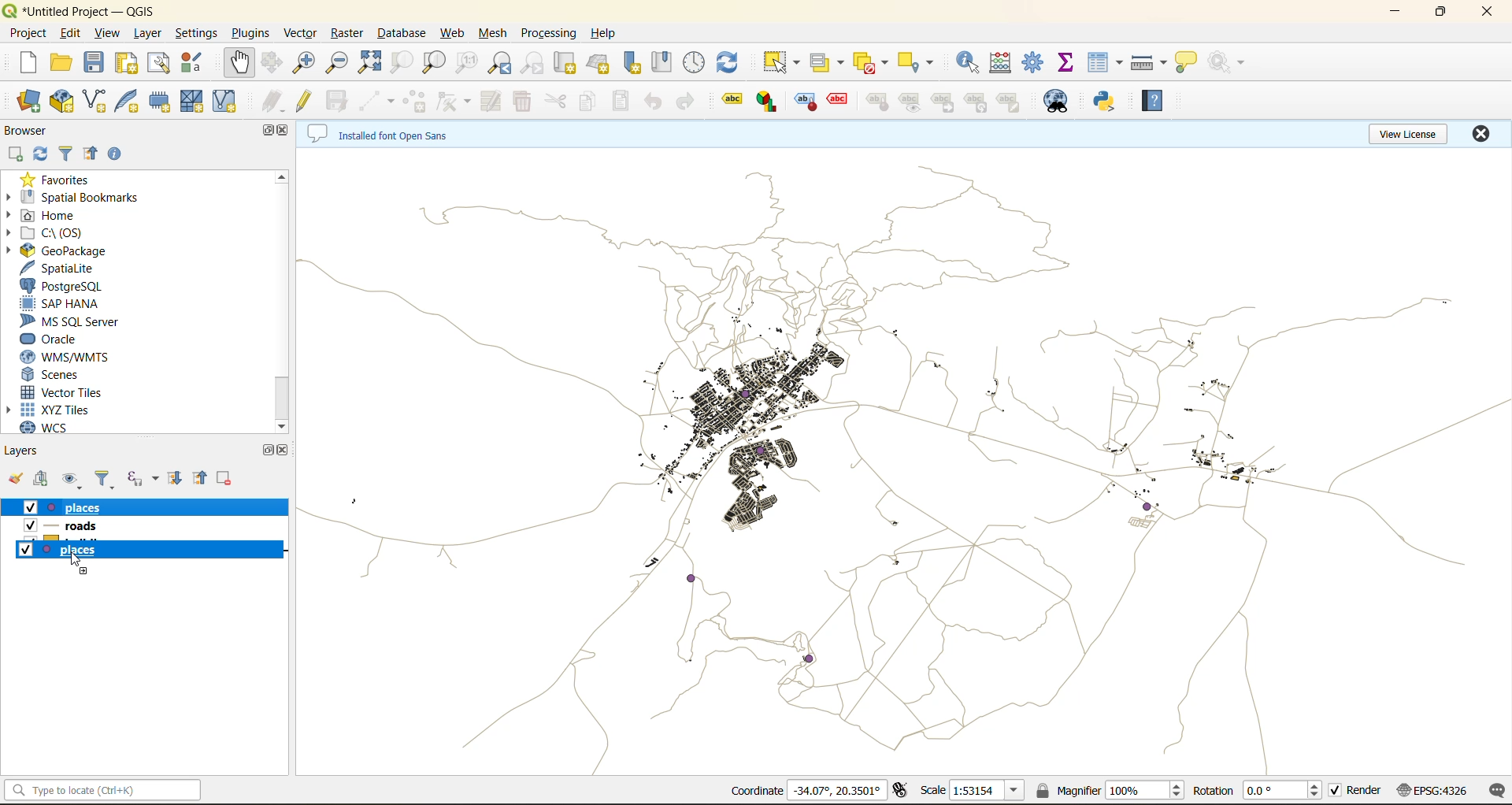 The height and width of the screenshot is (805, 1512). What do you see at coordinates (109, 35) in the screenshot?
I see `view` at bounding box center [109, 35].